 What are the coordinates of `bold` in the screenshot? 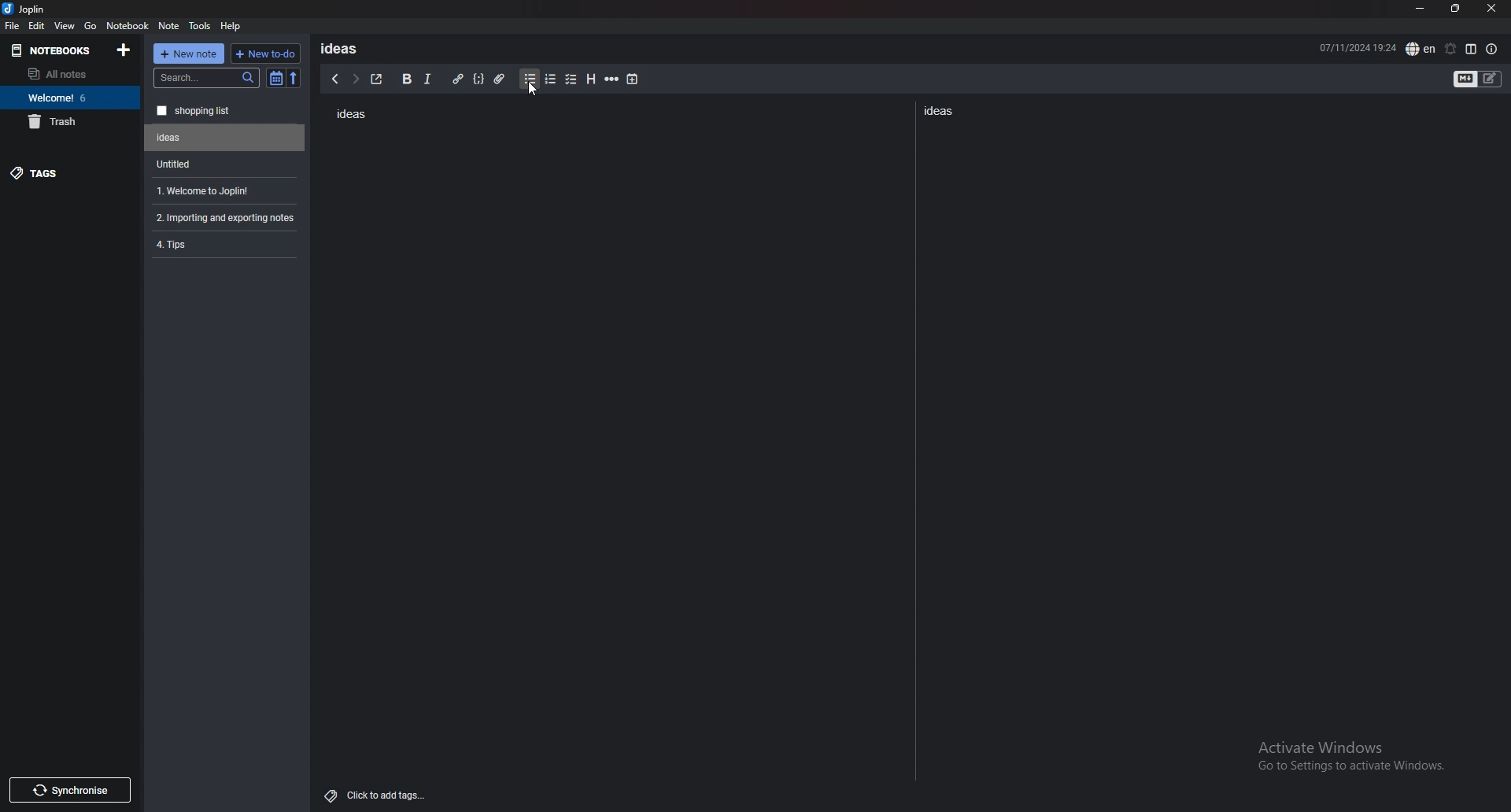 It's located at (405, 79).